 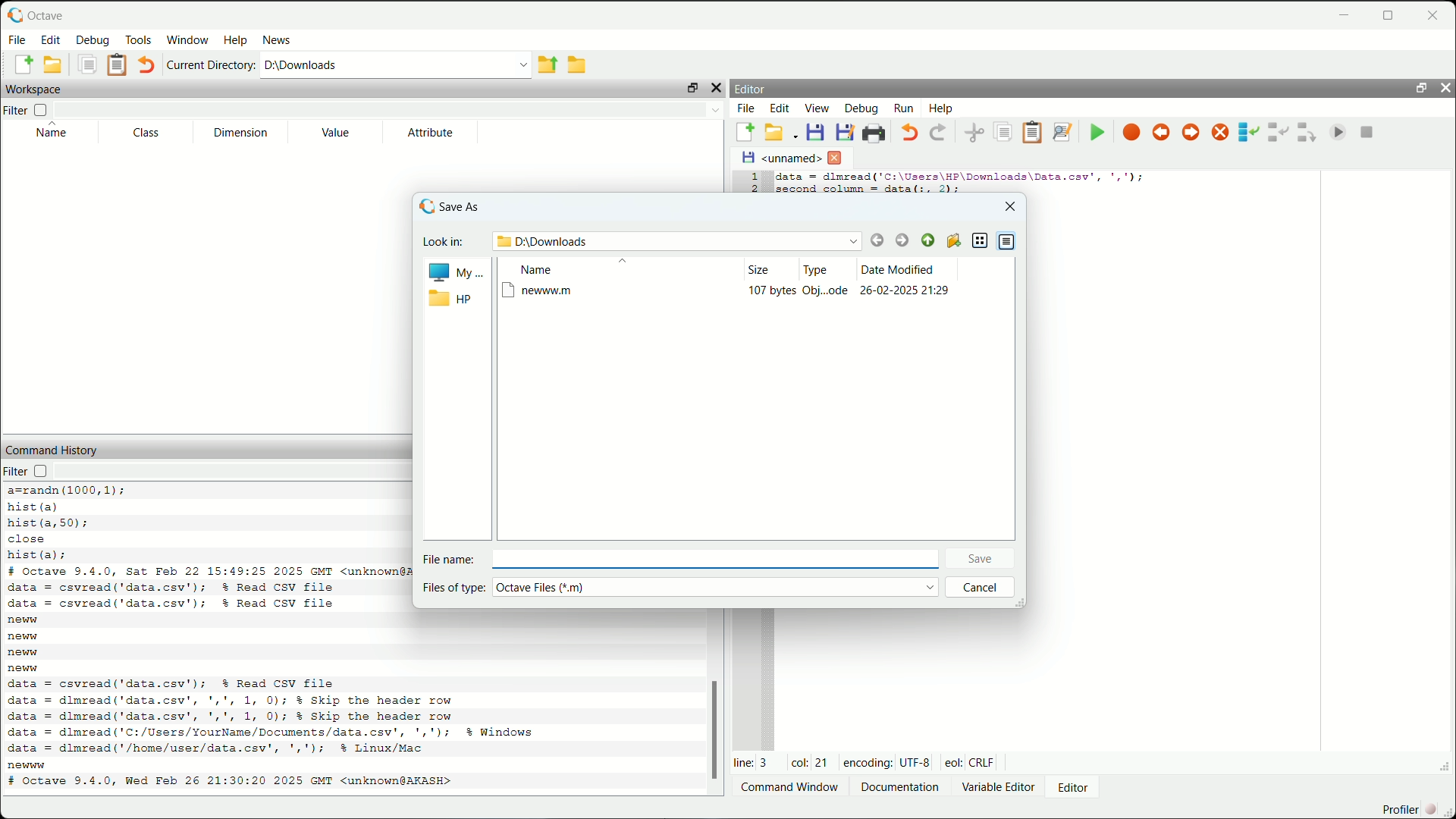 I want to click on enter file name, so click(x=717, y=558).